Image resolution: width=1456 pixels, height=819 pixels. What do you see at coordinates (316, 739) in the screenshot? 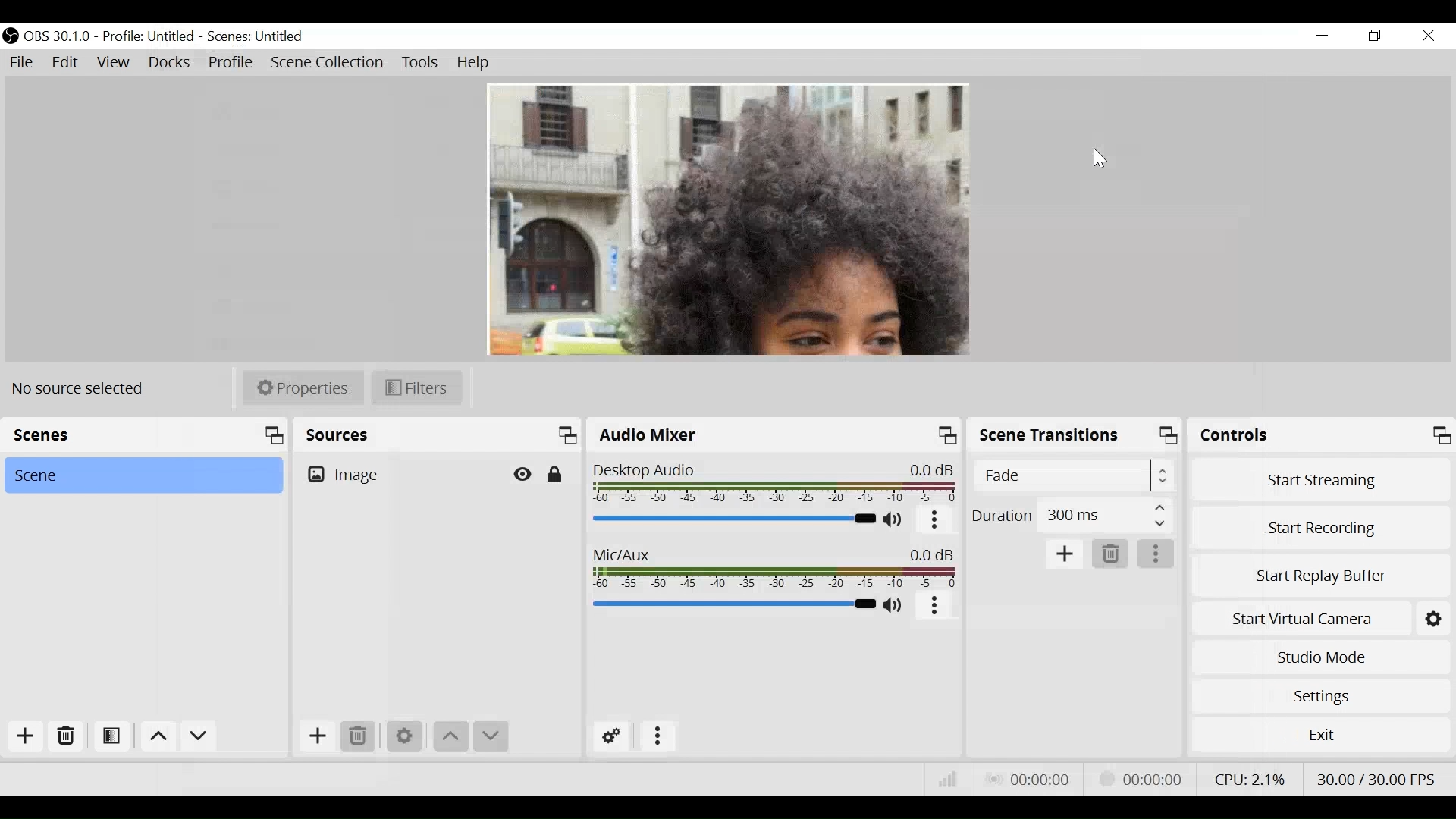
I see `Add Source` at bounding box center [316, 739].